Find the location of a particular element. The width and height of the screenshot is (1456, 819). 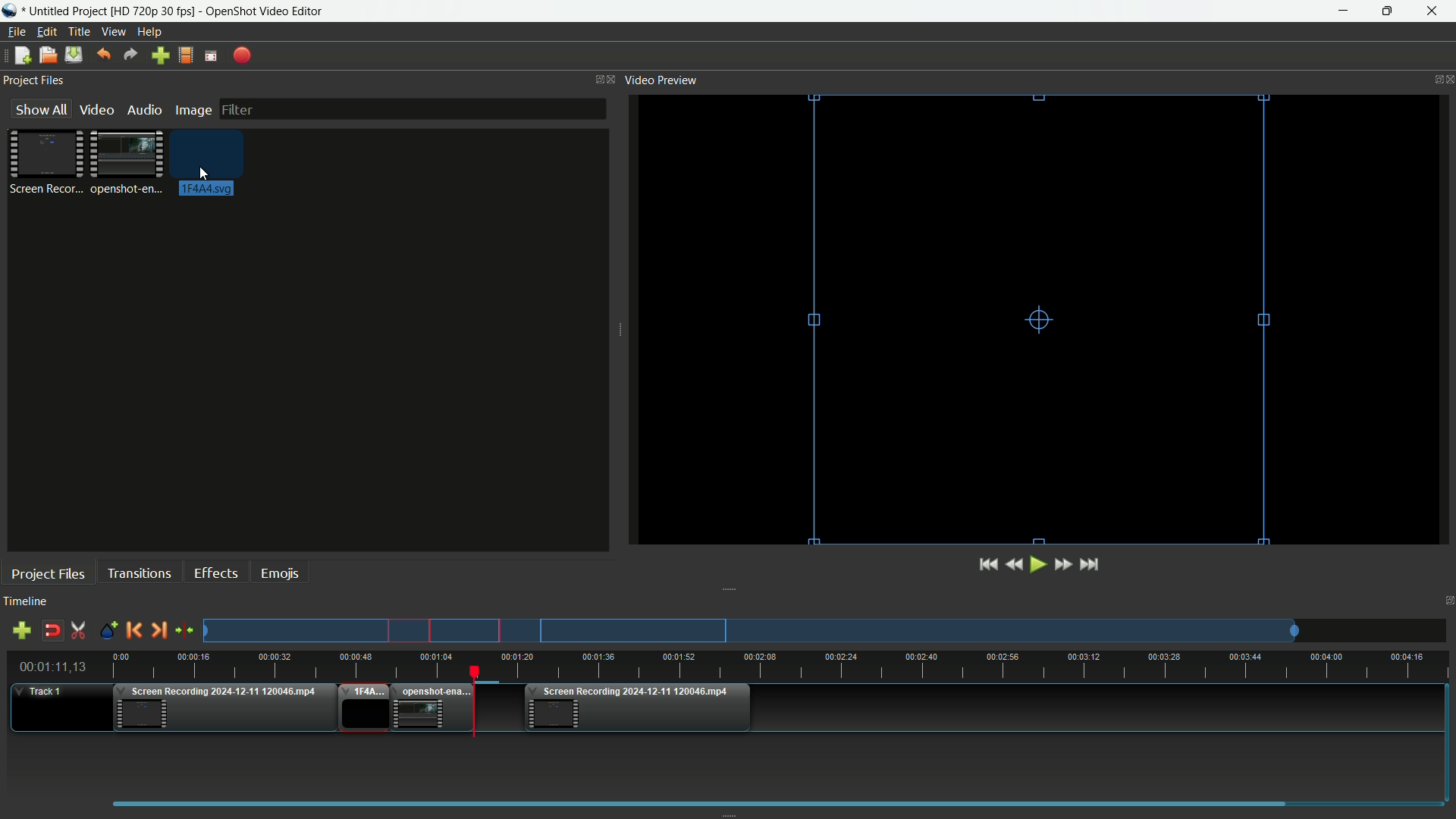

Close timeline is located at coordinates (1447, 603).